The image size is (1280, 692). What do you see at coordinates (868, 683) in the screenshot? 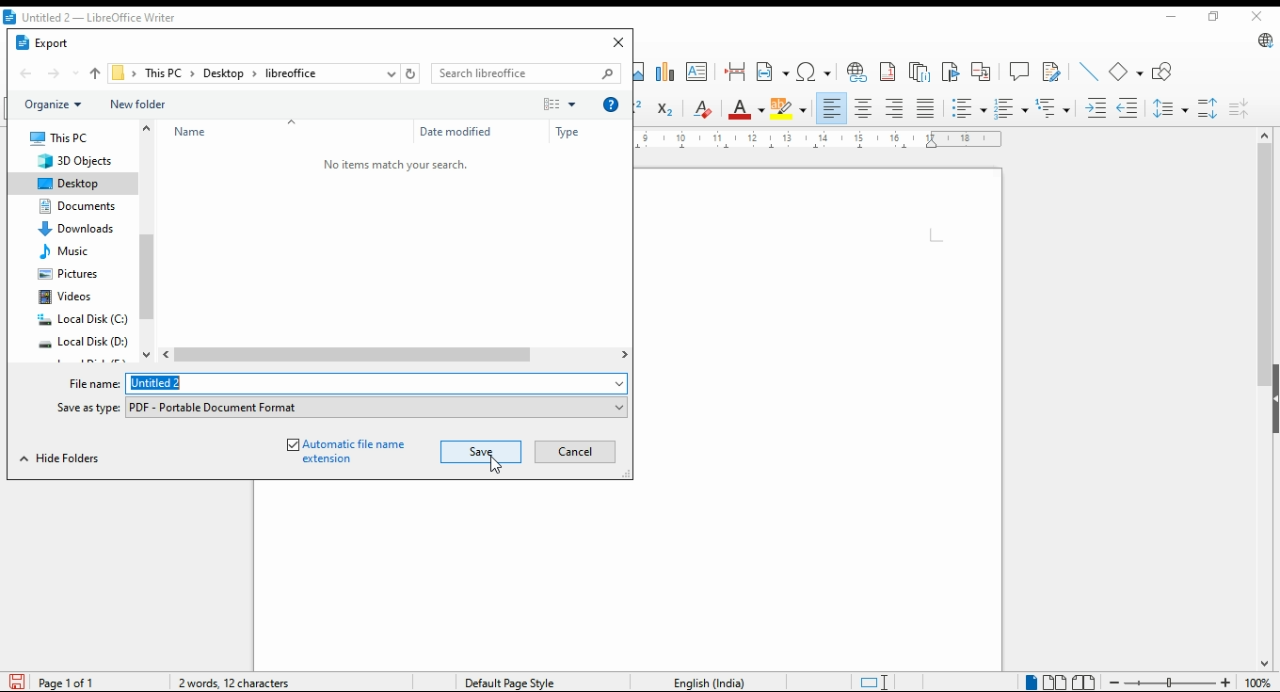
I see `standard selection. click to select selection mode` at bounding box center [868, 683].